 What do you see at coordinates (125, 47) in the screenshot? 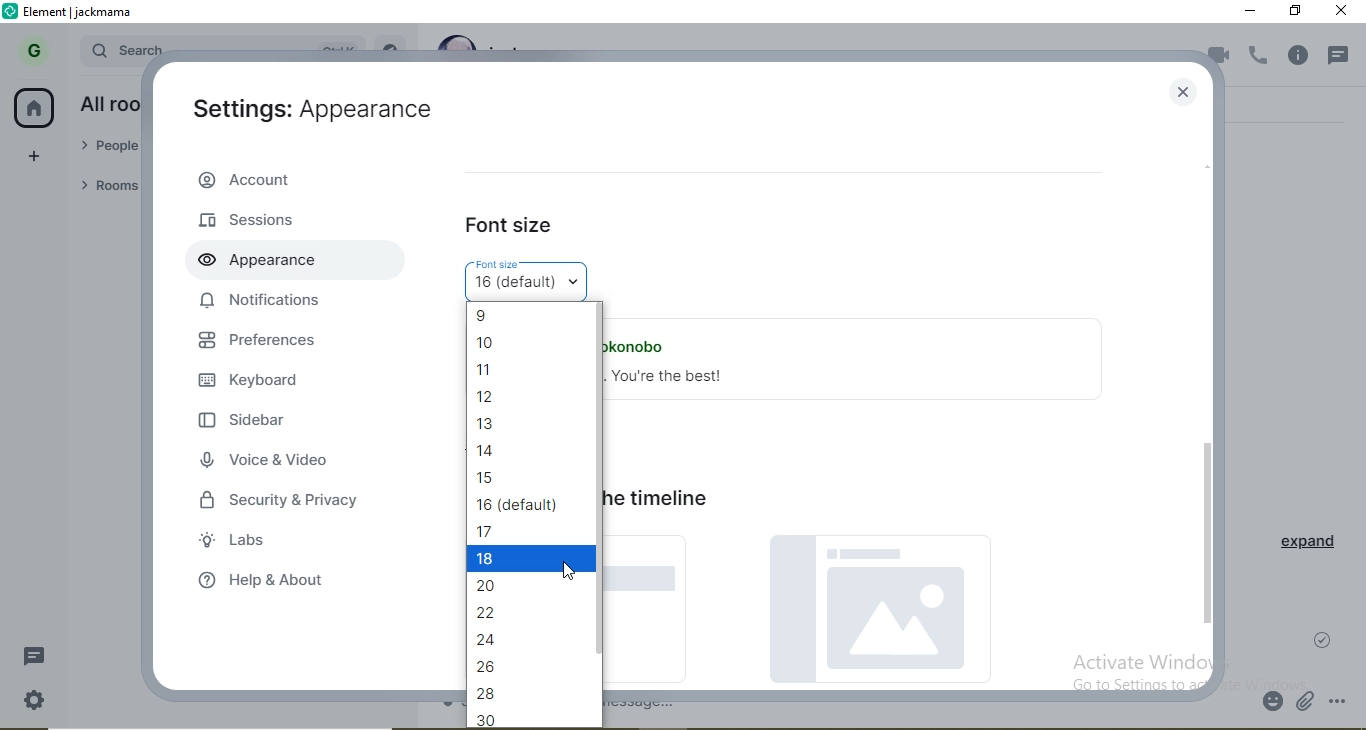
I see `search bar` at bounding box center [125, 47].